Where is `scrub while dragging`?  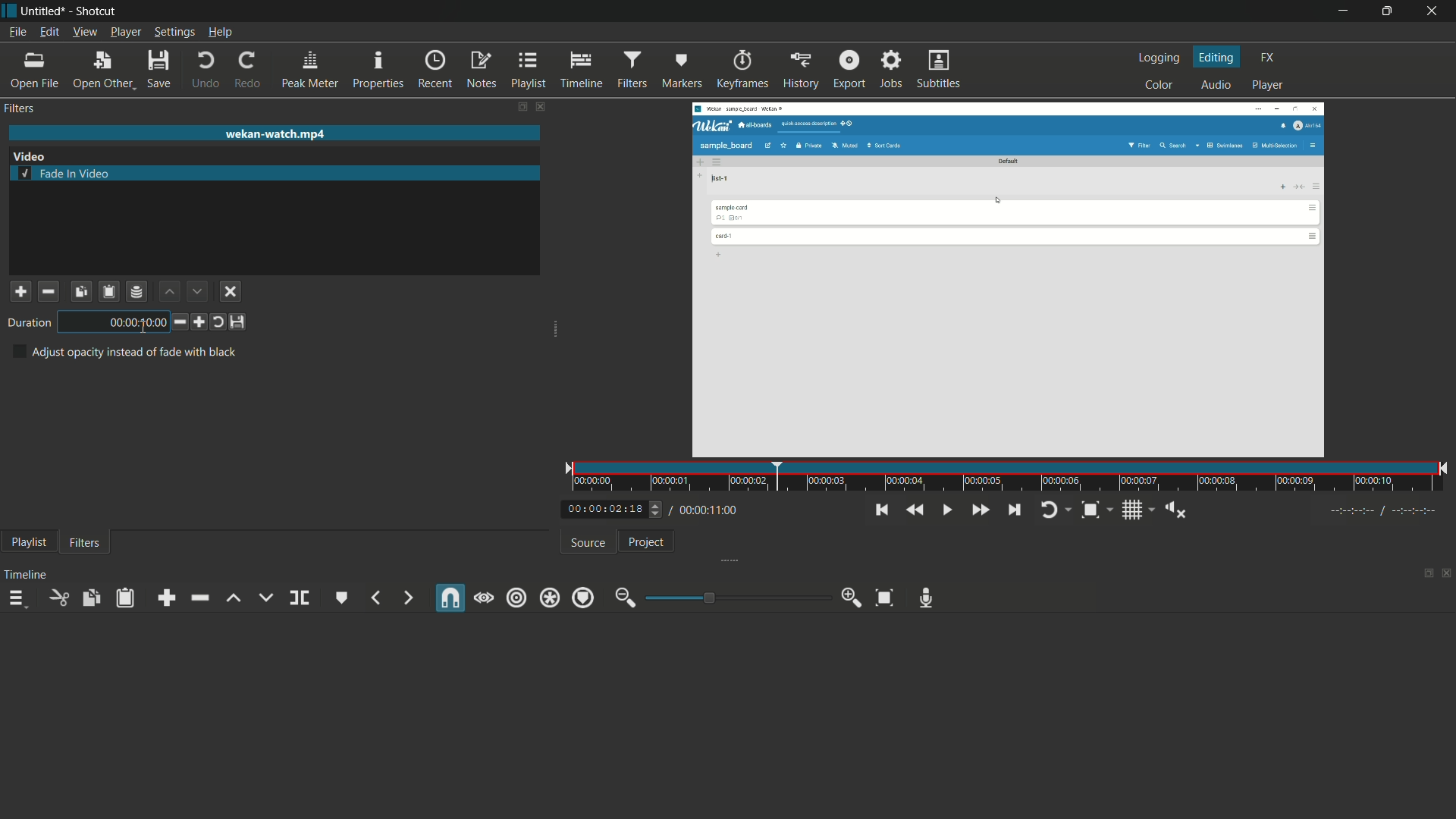 scrub while dragging is located at coordinates (483, 598).